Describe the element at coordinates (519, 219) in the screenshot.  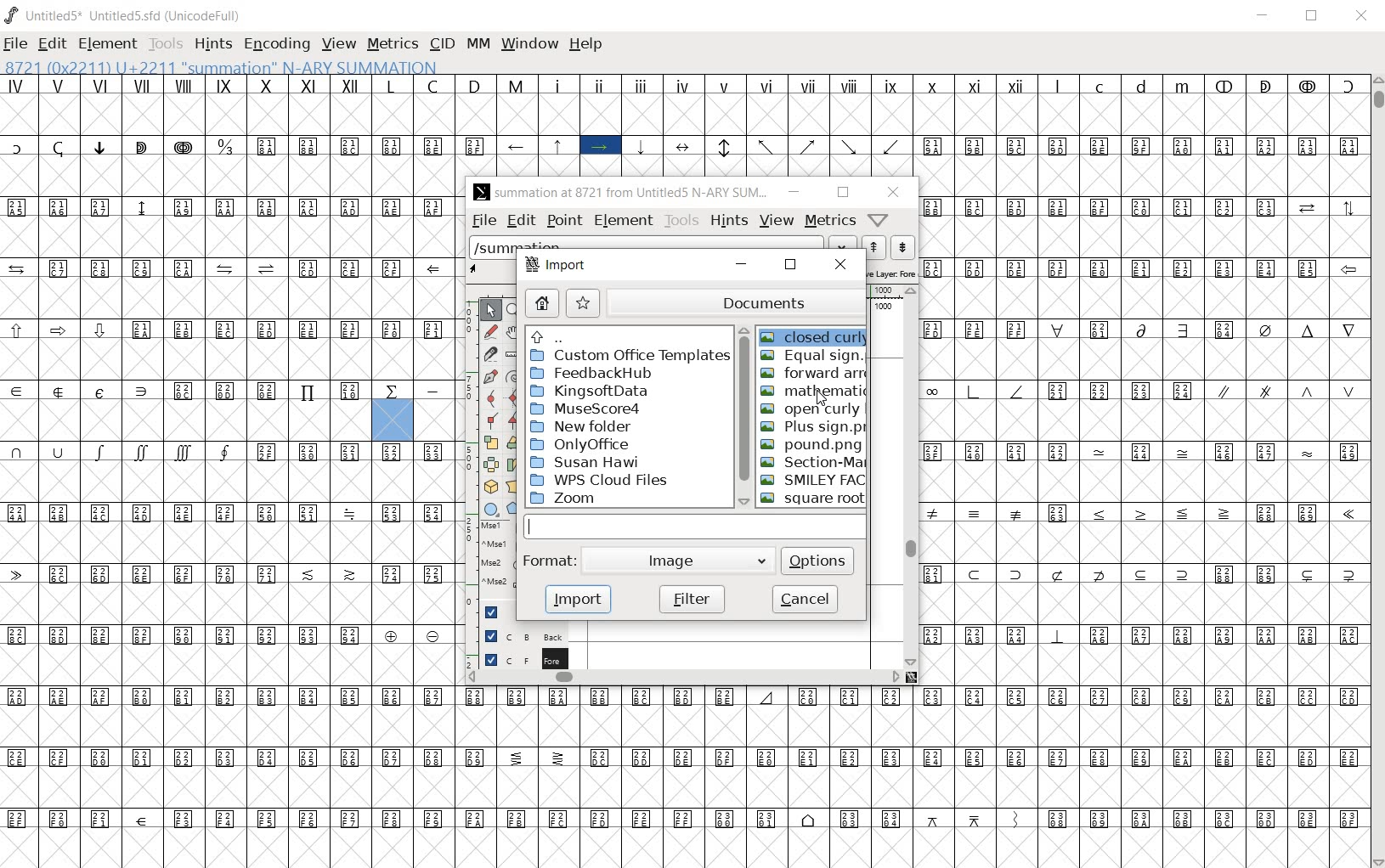
I see `edit` at that location.